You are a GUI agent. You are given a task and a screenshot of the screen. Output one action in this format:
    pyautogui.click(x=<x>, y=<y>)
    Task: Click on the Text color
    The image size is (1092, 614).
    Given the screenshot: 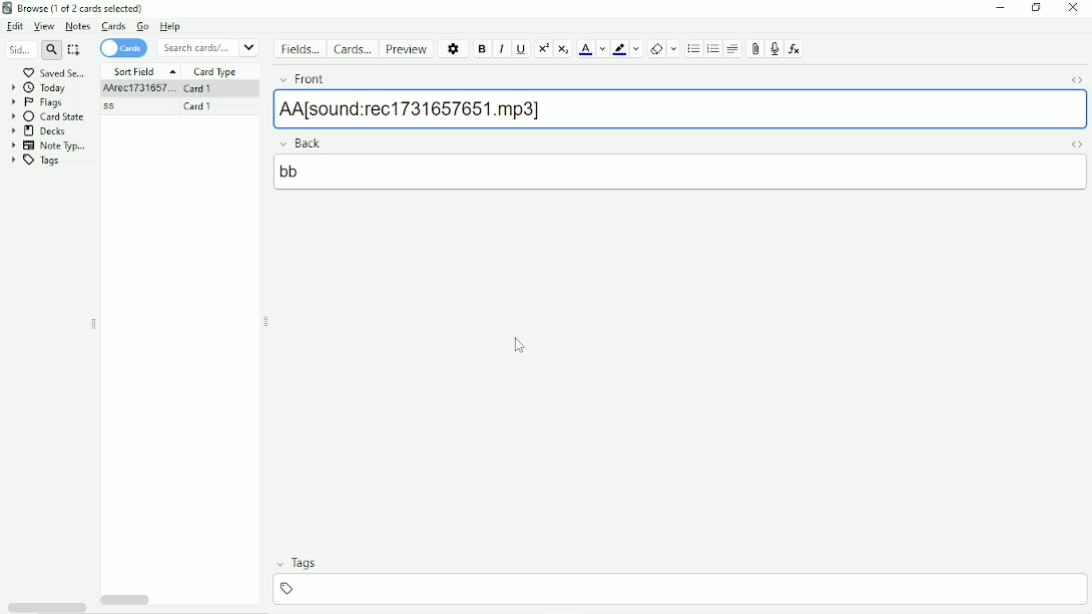 What is the action you would take?
    pyautogui.click(x=586, y=49)
    